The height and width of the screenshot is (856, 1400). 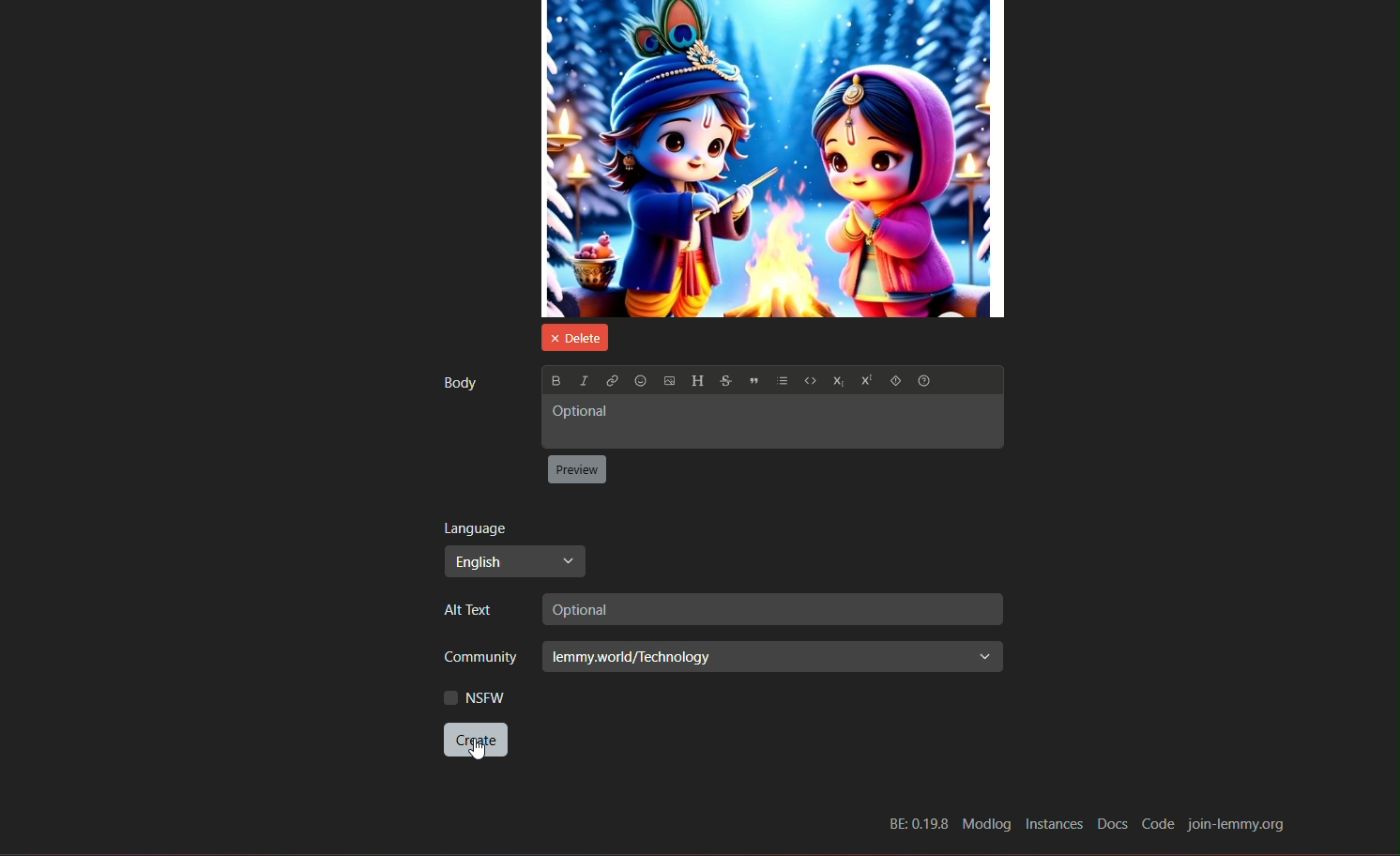 What do you see at coordinates (458, 382) in the screenshot?
I see `Body` at bounding box center [458, 382].